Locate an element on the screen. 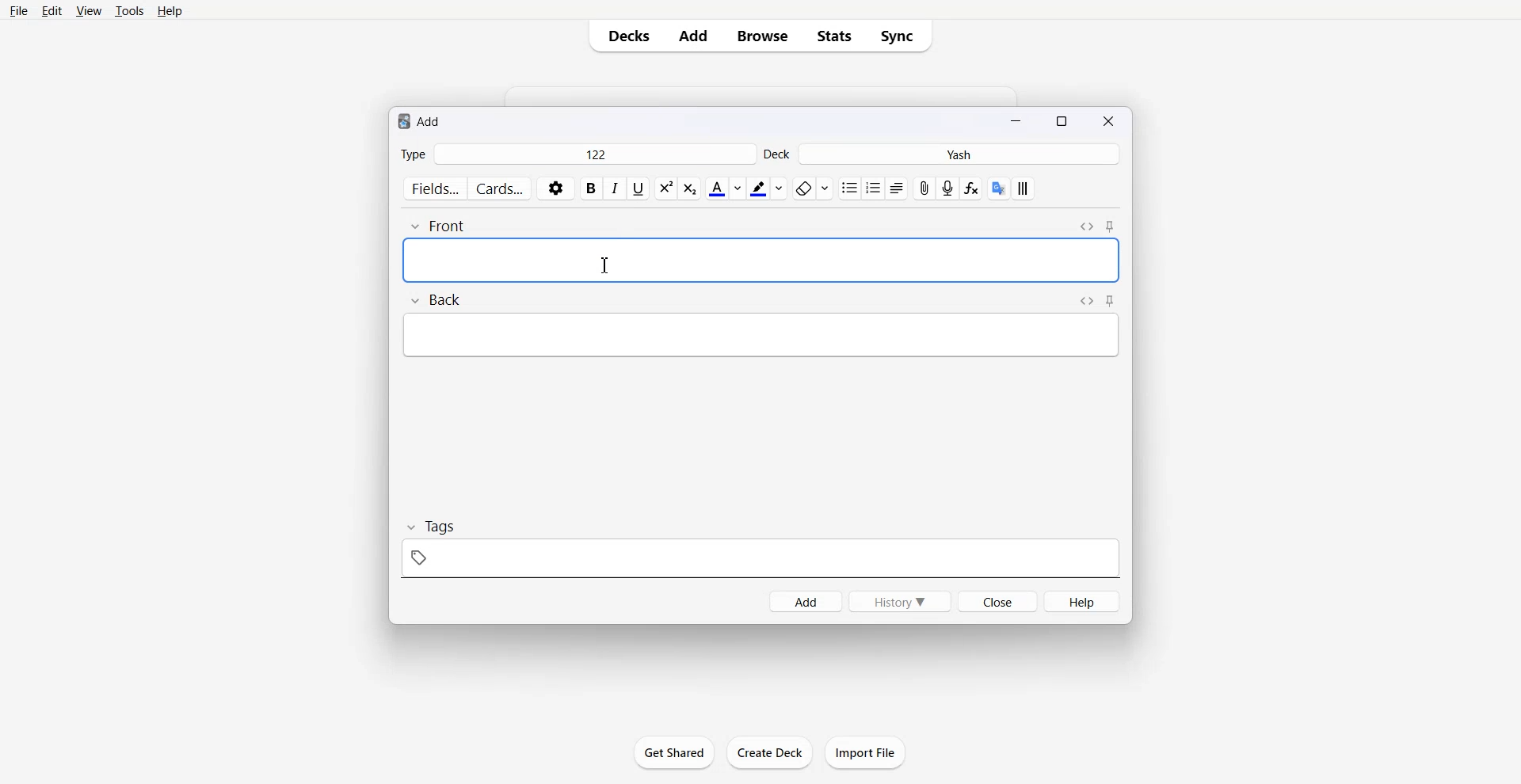 This screenshot has width=1521, height=784. Text is located at coordinates (420, 120).